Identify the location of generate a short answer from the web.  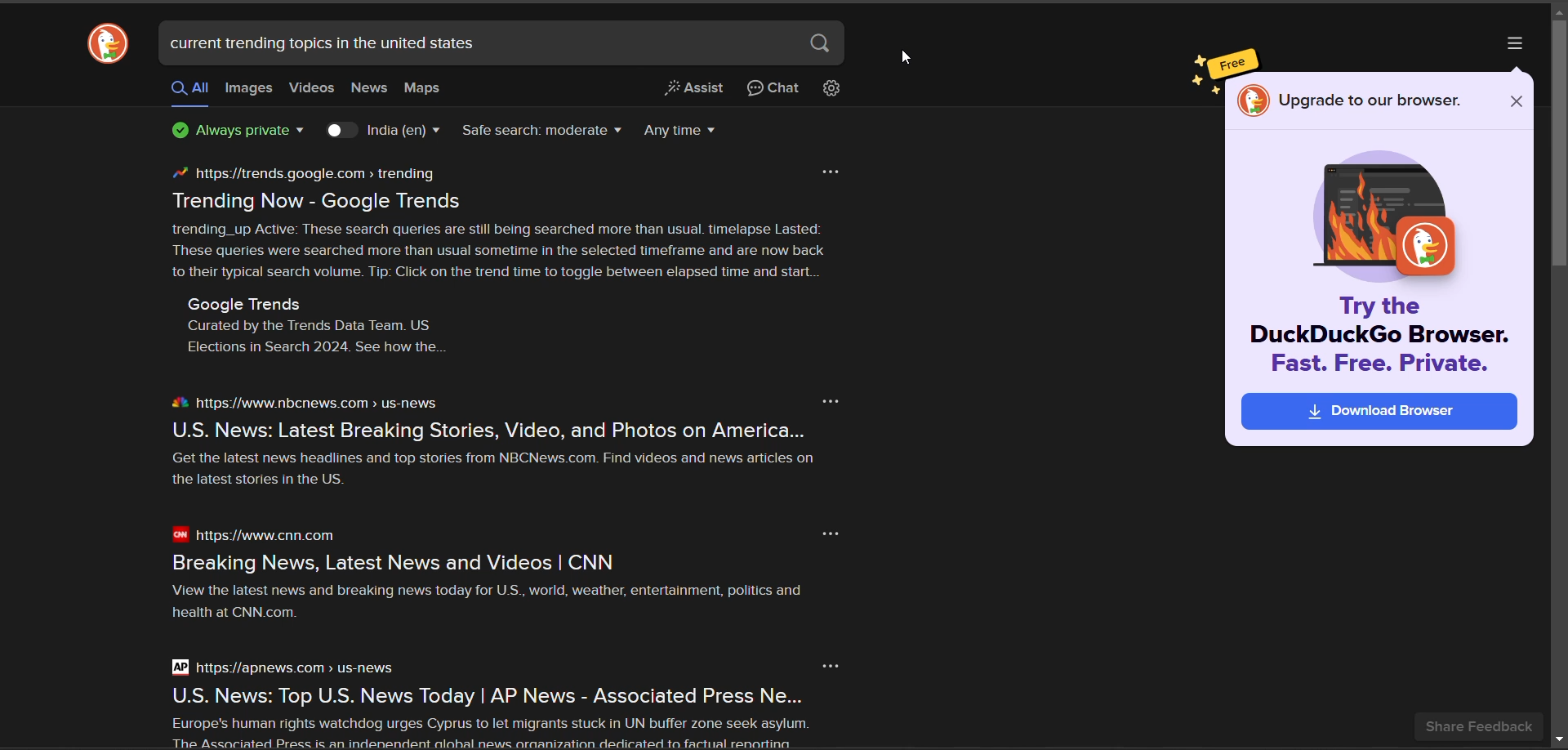
(693, 88).